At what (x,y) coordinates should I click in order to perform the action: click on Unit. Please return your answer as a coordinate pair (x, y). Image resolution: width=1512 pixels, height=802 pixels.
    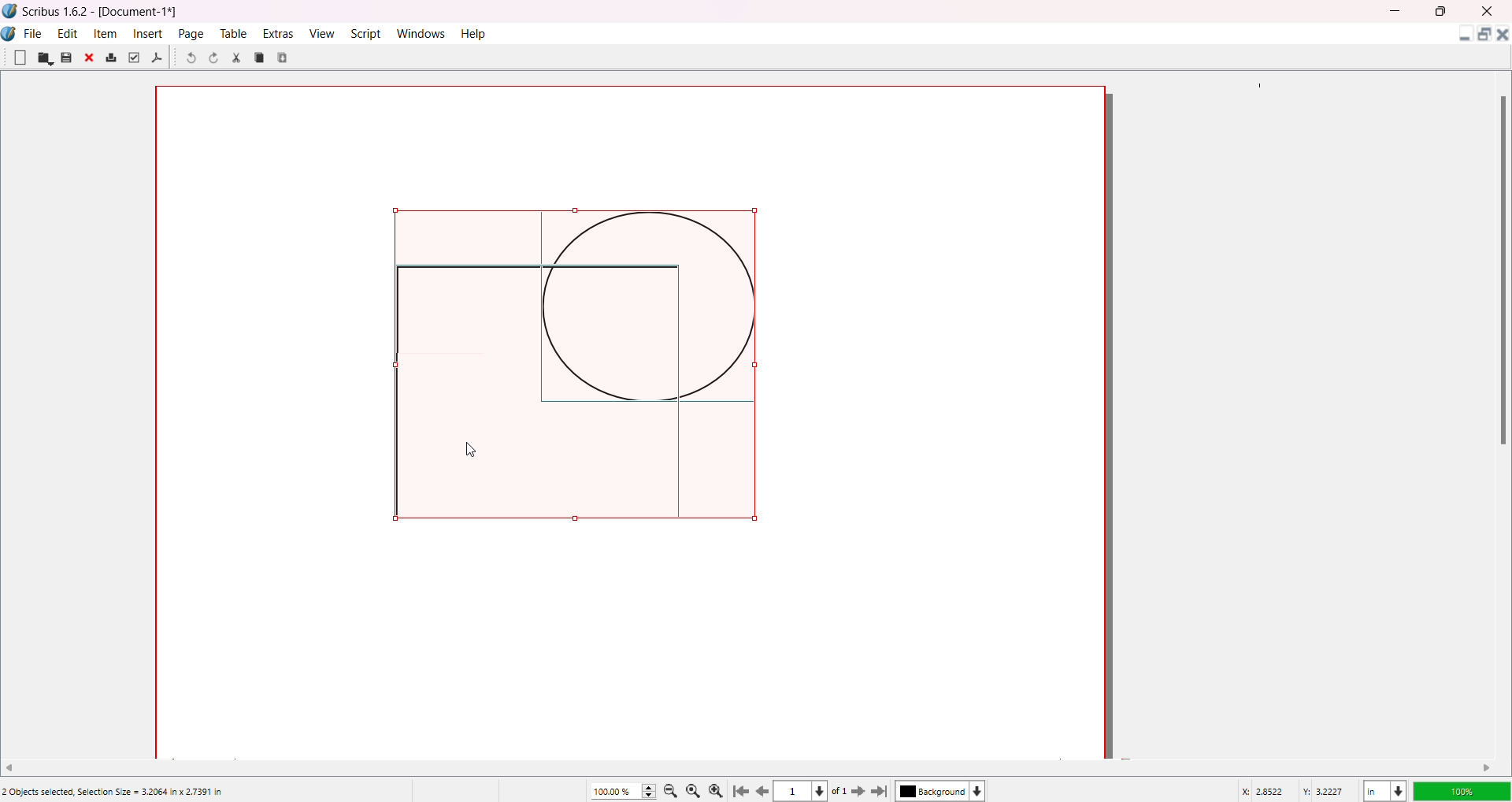
    Looking at the image, I should click on (1384, 789).